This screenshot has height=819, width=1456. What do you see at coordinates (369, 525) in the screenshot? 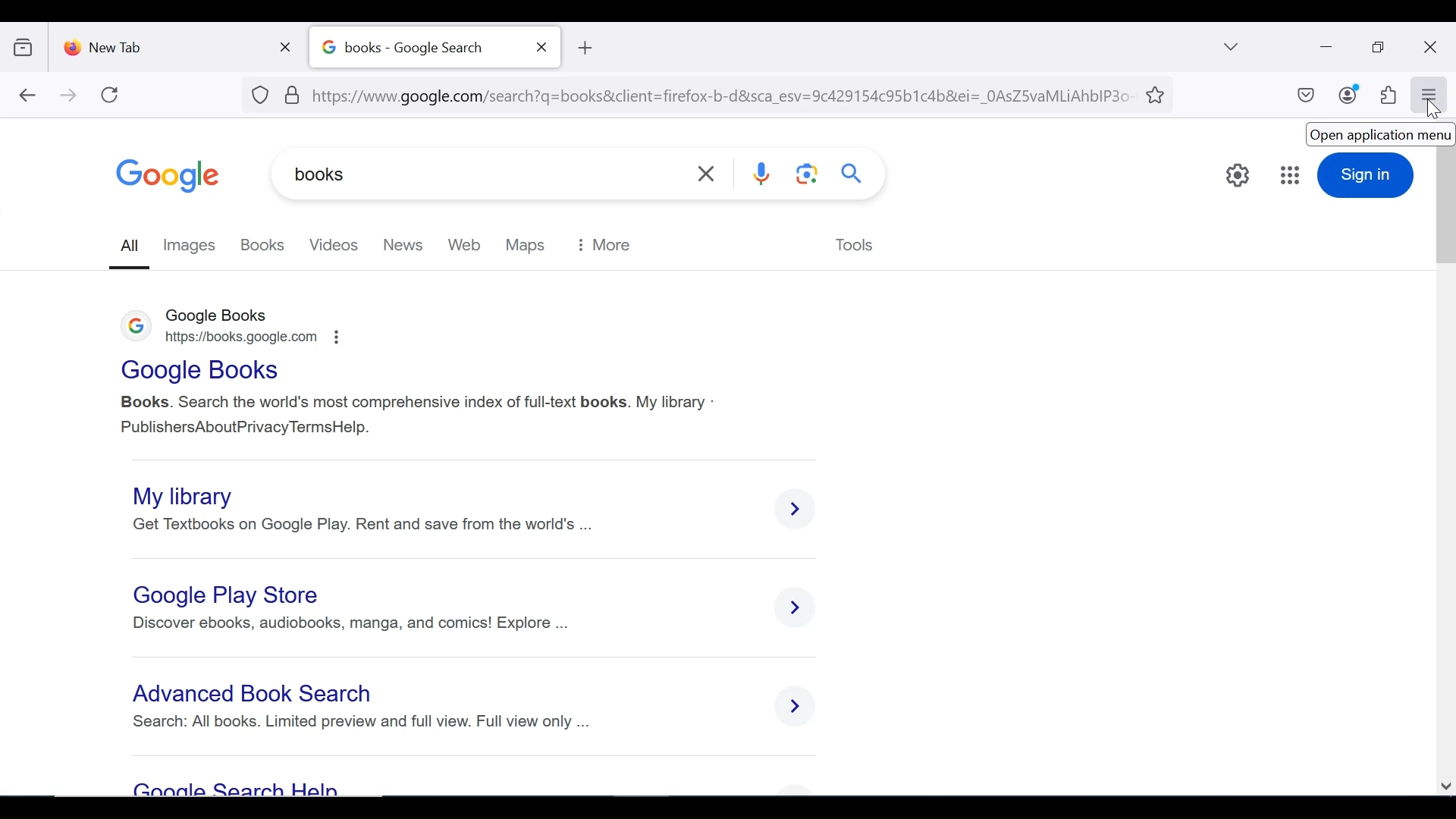
I see `get the textbooks on Google Play. Rent and save from the world's finest` at bounding box center [369, 525].